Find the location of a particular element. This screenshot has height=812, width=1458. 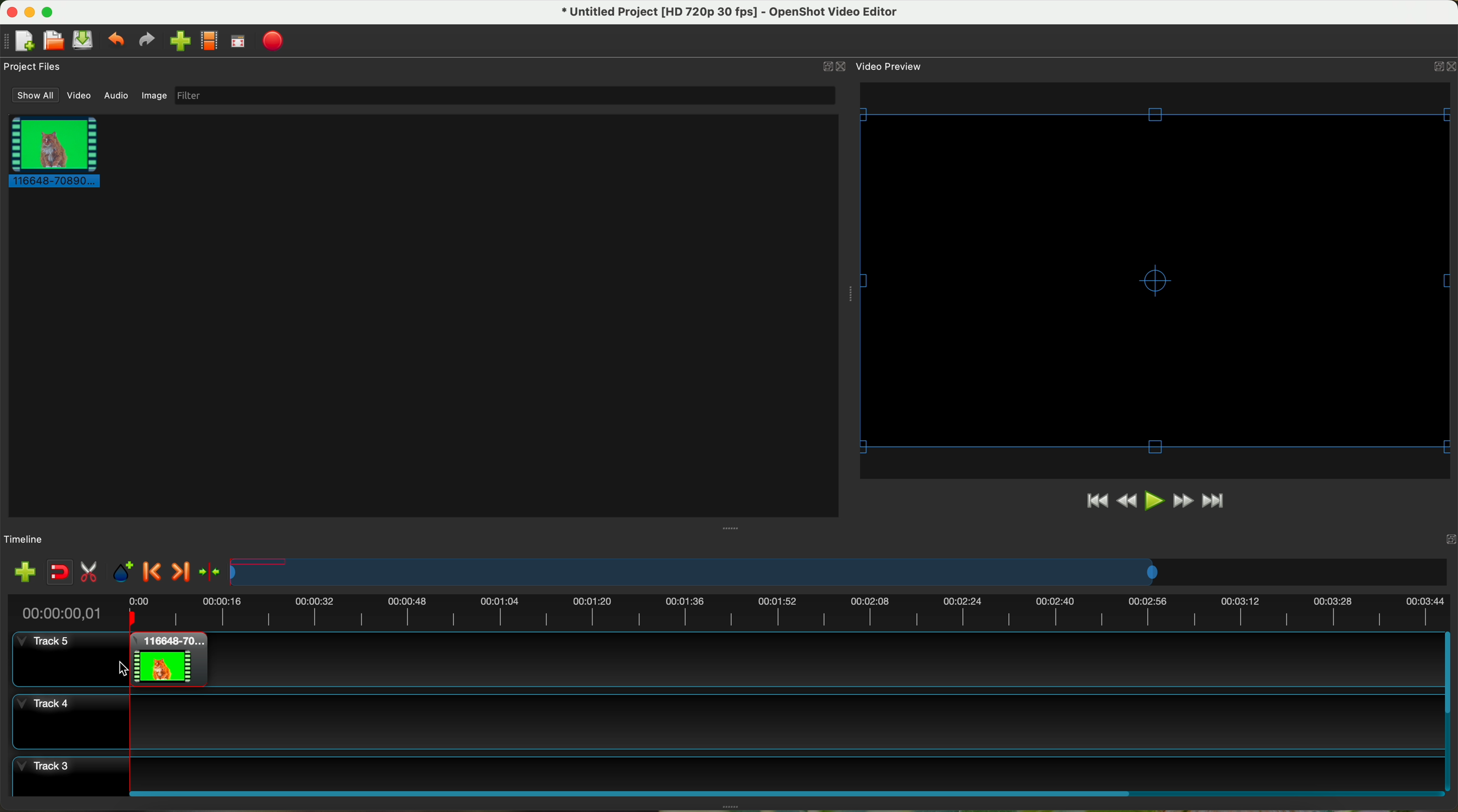

click on import file is located at coordinates (177, 37).